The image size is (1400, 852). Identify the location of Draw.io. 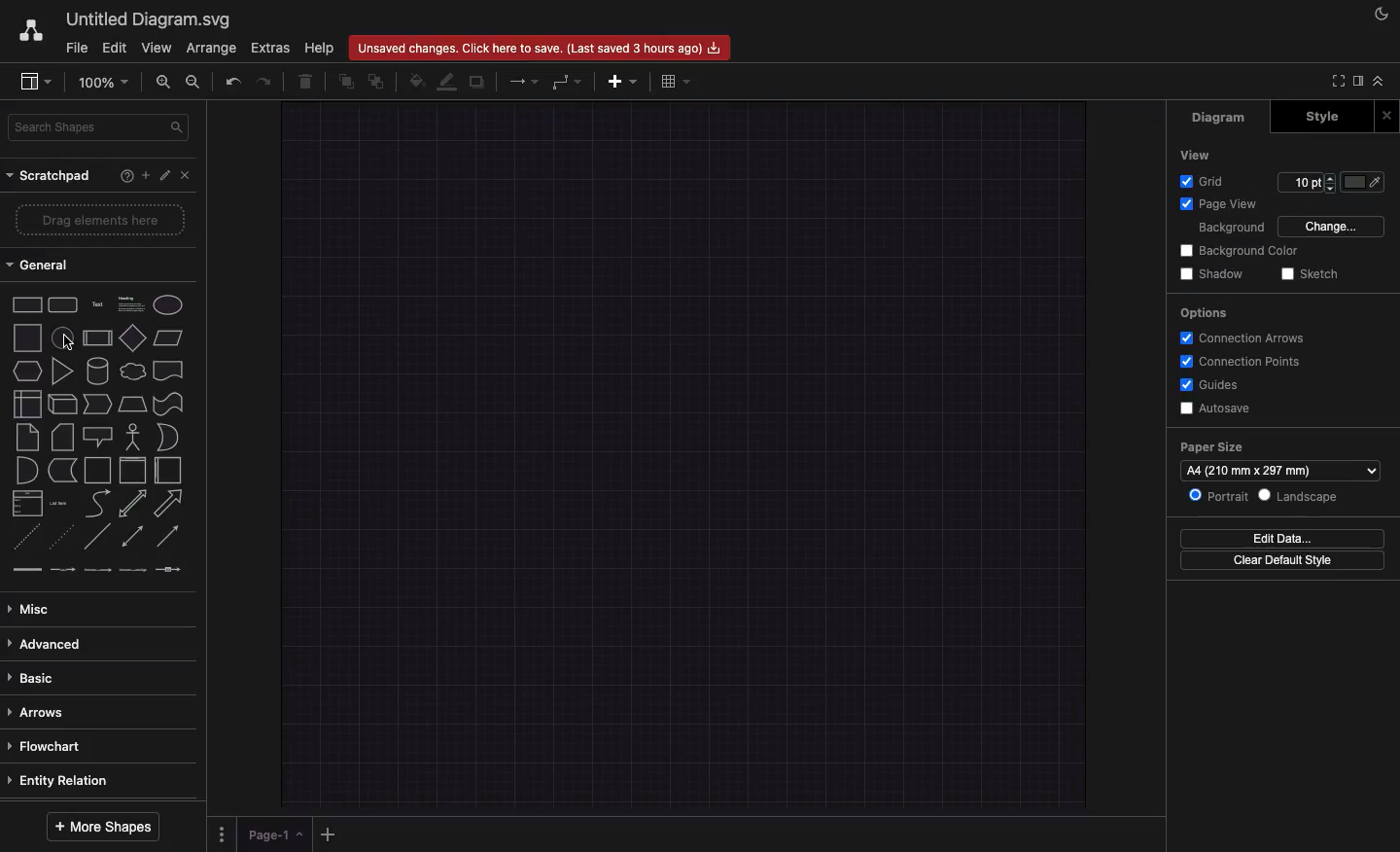
(32, 33).